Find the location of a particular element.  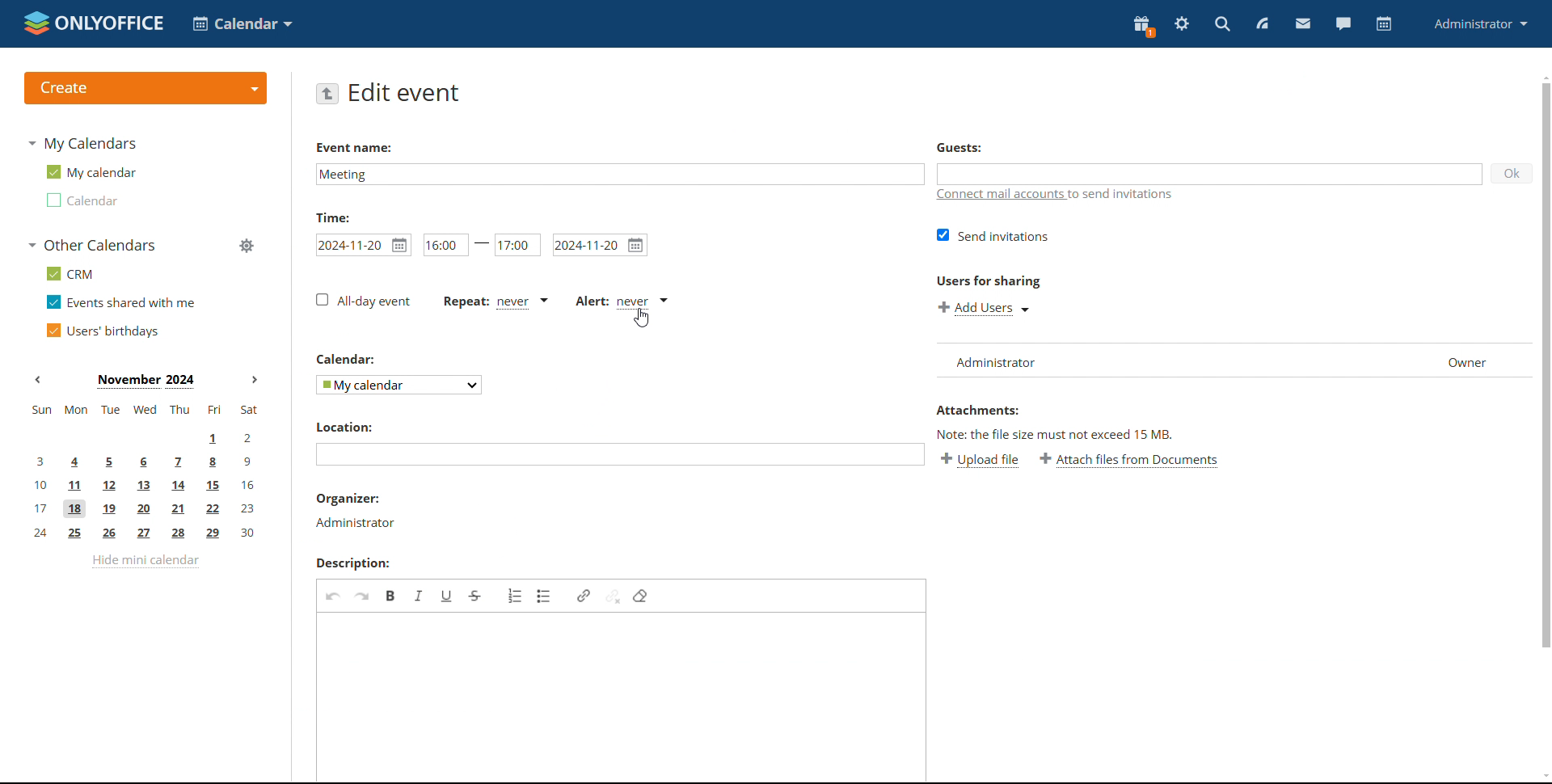

attach files from documents is located at coordinates (1128, 458).